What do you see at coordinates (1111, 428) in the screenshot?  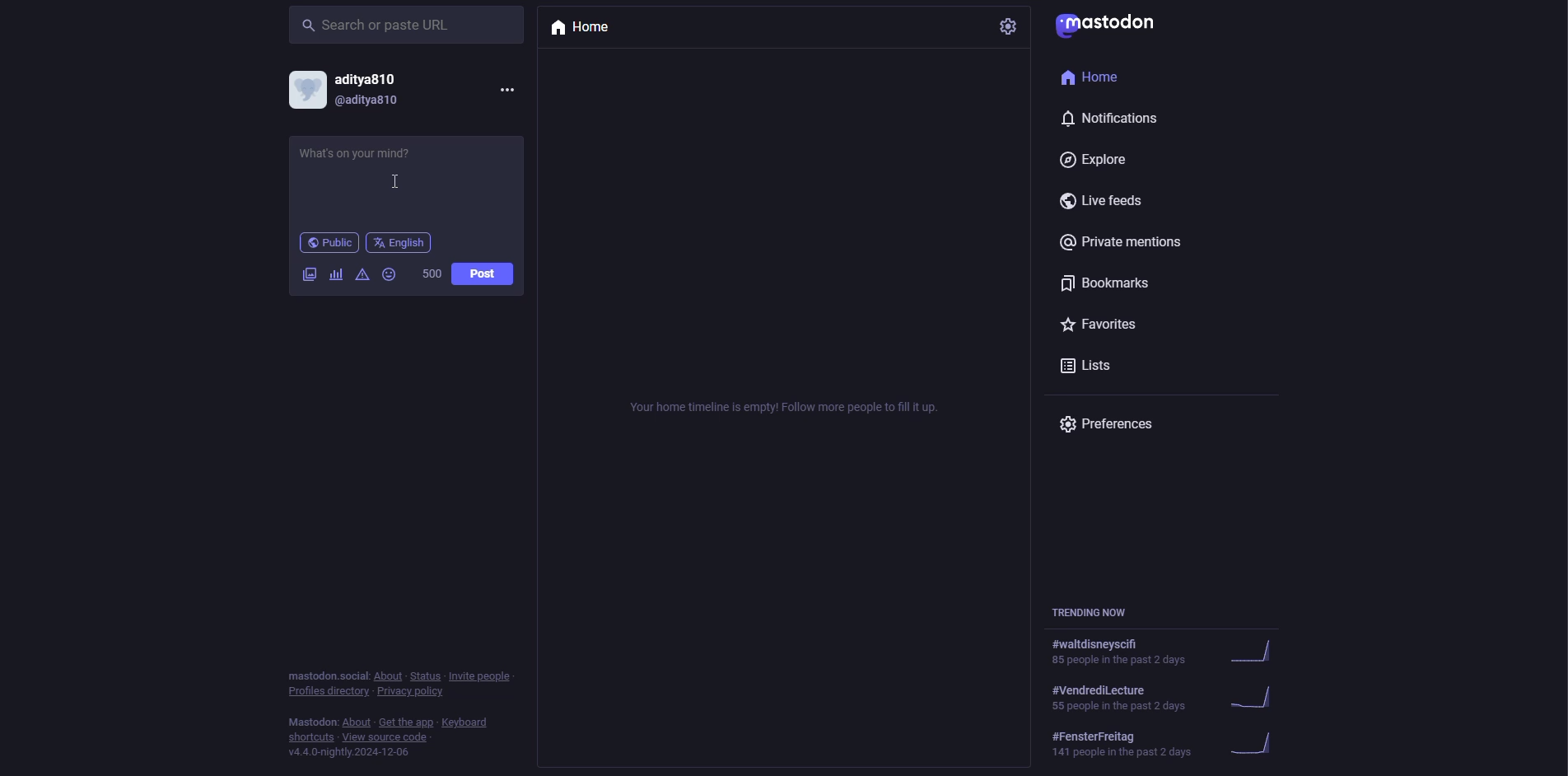 I see `preferences` at bounding box center [1111, 428].